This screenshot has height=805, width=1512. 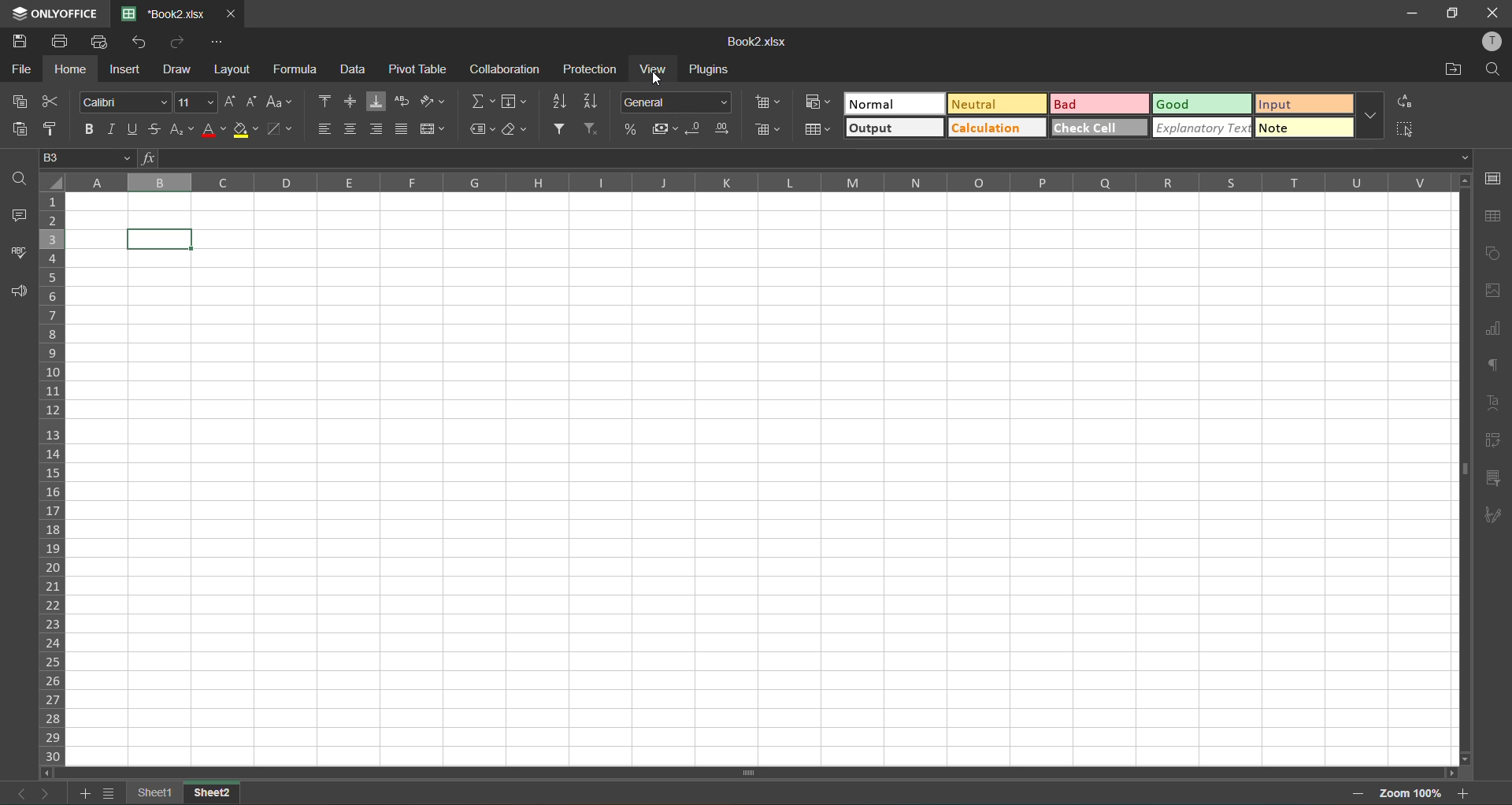 I want to click on insert cells, so click(x=770, y=100).